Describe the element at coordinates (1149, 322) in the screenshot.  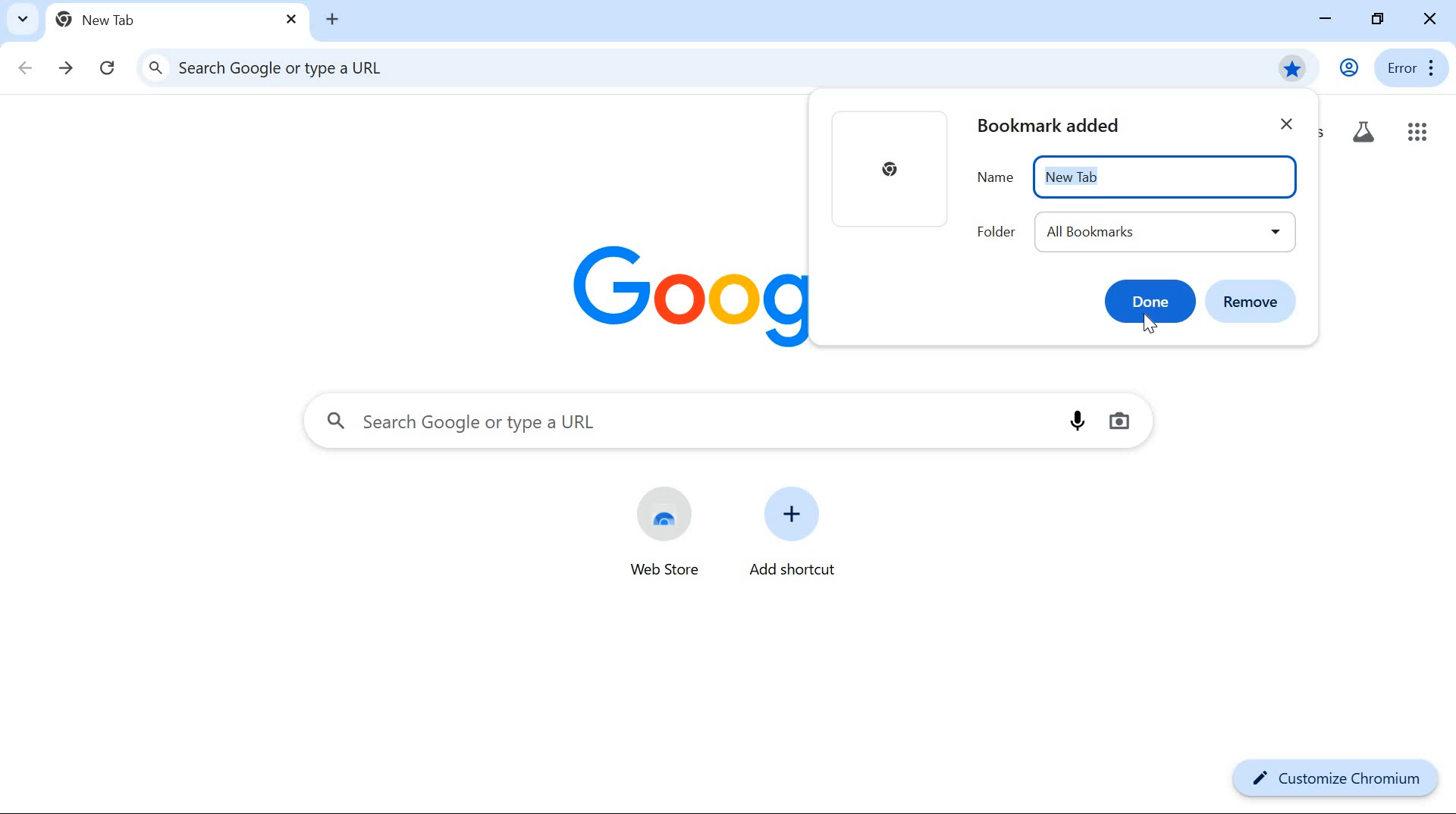
I see `mouse pointer` at that location.